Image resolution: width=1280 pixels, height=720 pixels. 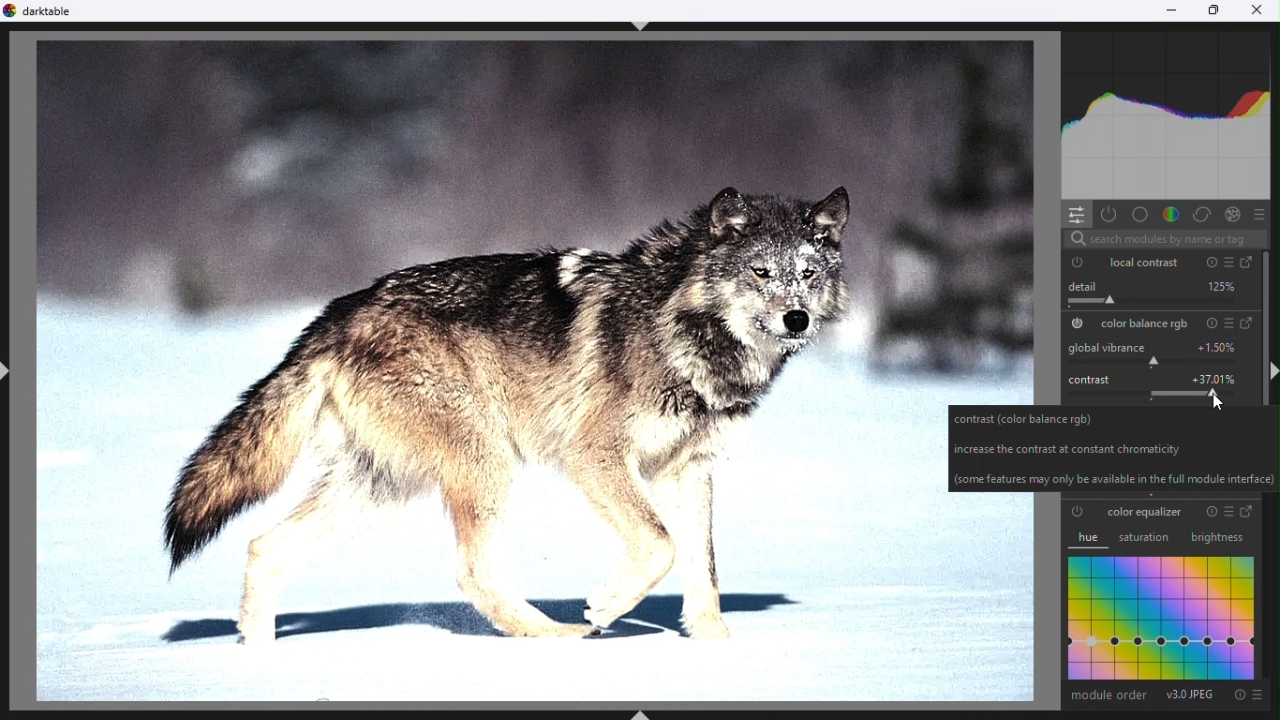 I want to click on presets, so click(x=1227, y=512).